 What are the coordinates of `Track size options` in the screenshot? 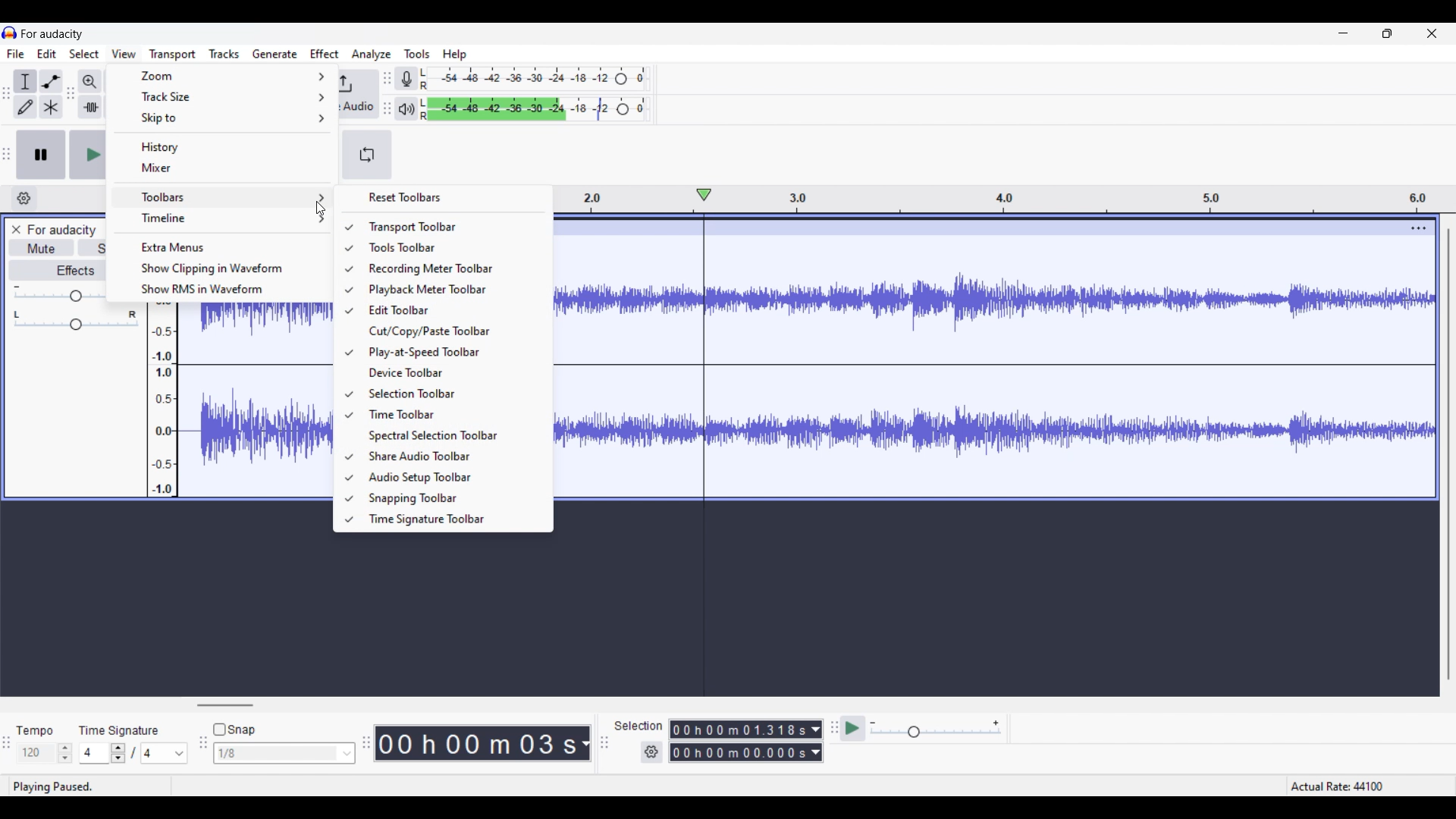 It's located at (224, 96).